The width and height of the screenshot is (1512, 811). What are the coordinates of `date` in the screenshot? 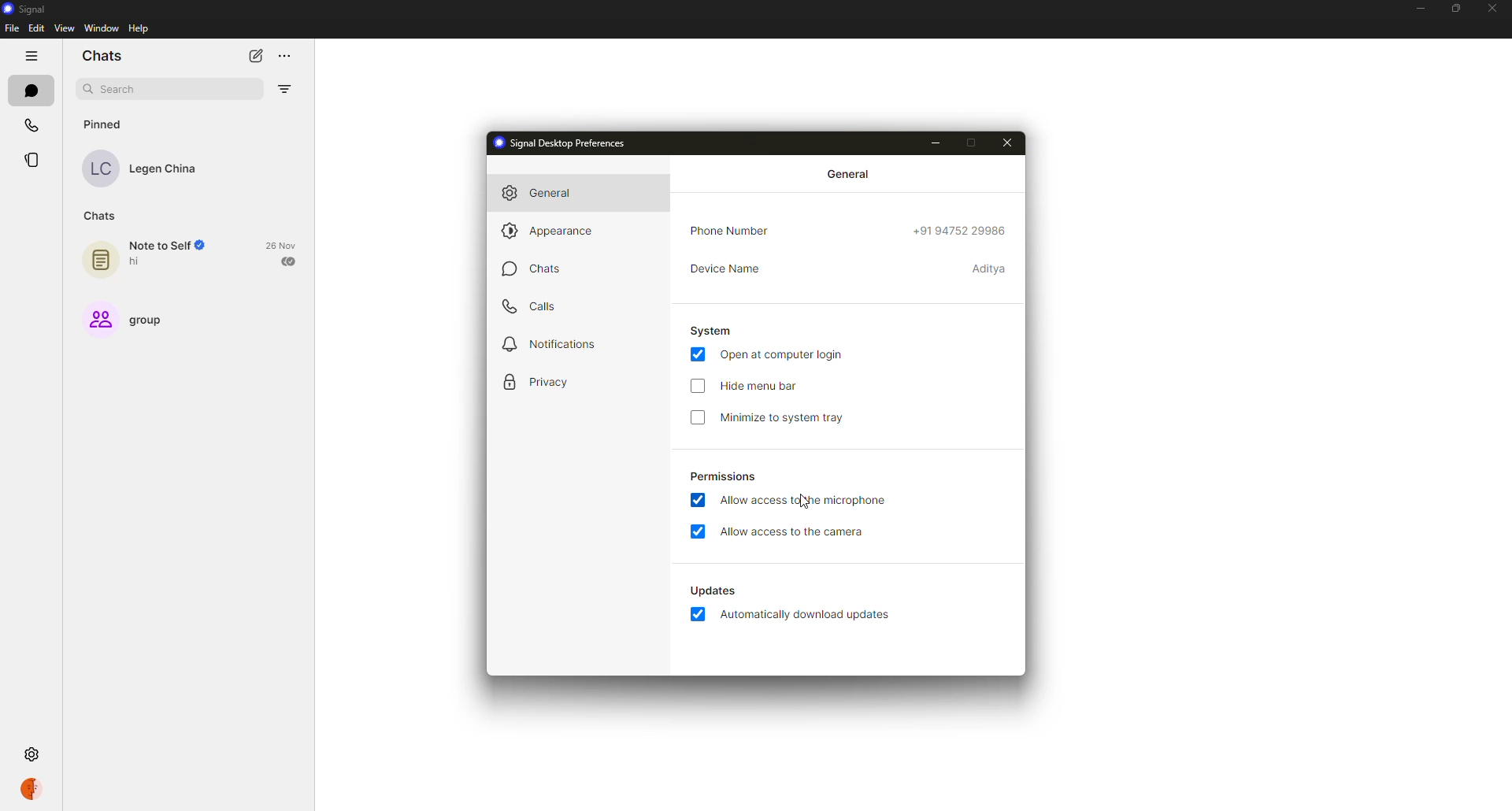 It's located at (283, 244).